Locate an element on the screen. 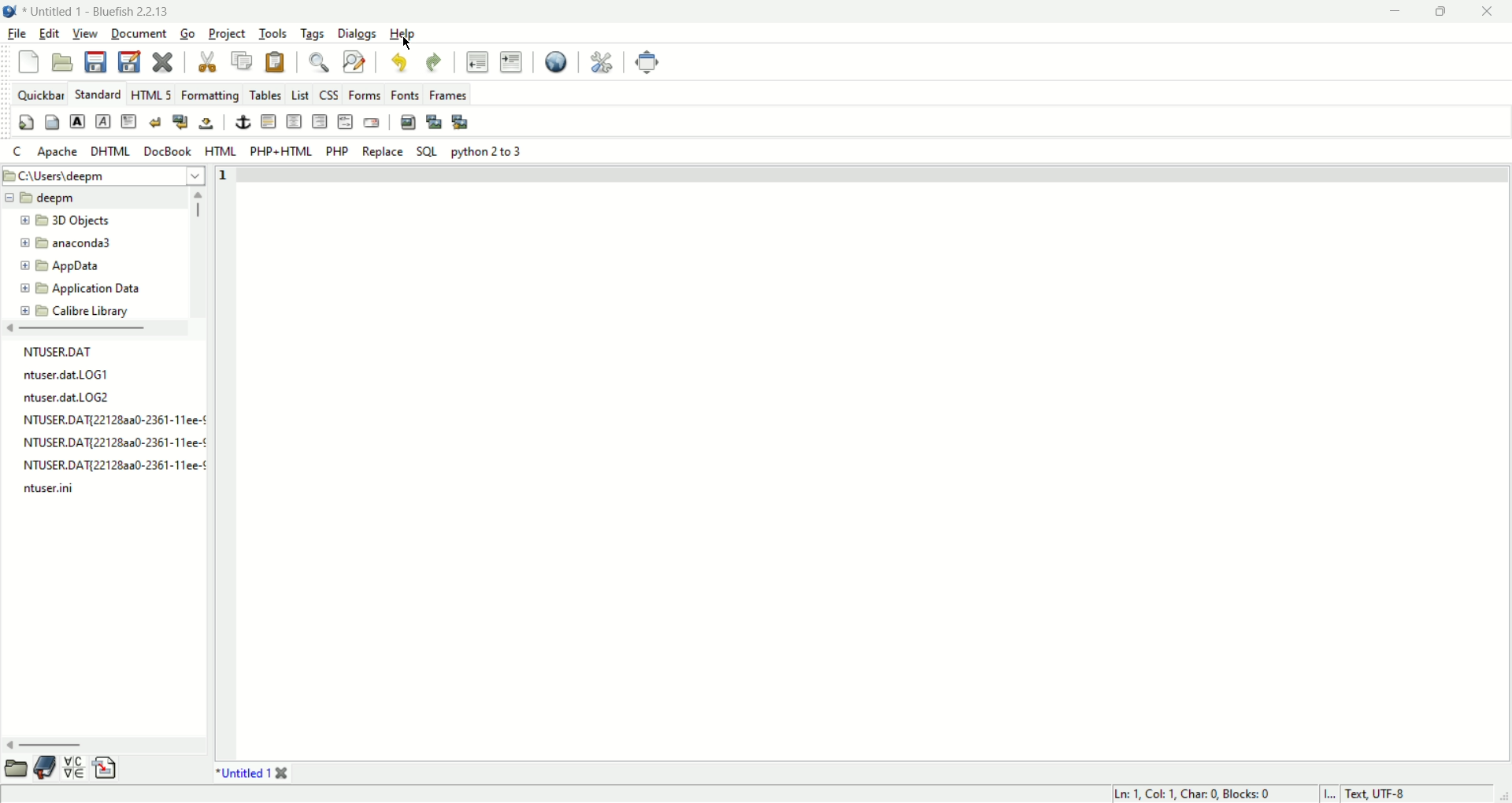  view is located at coordinates (84, 35).